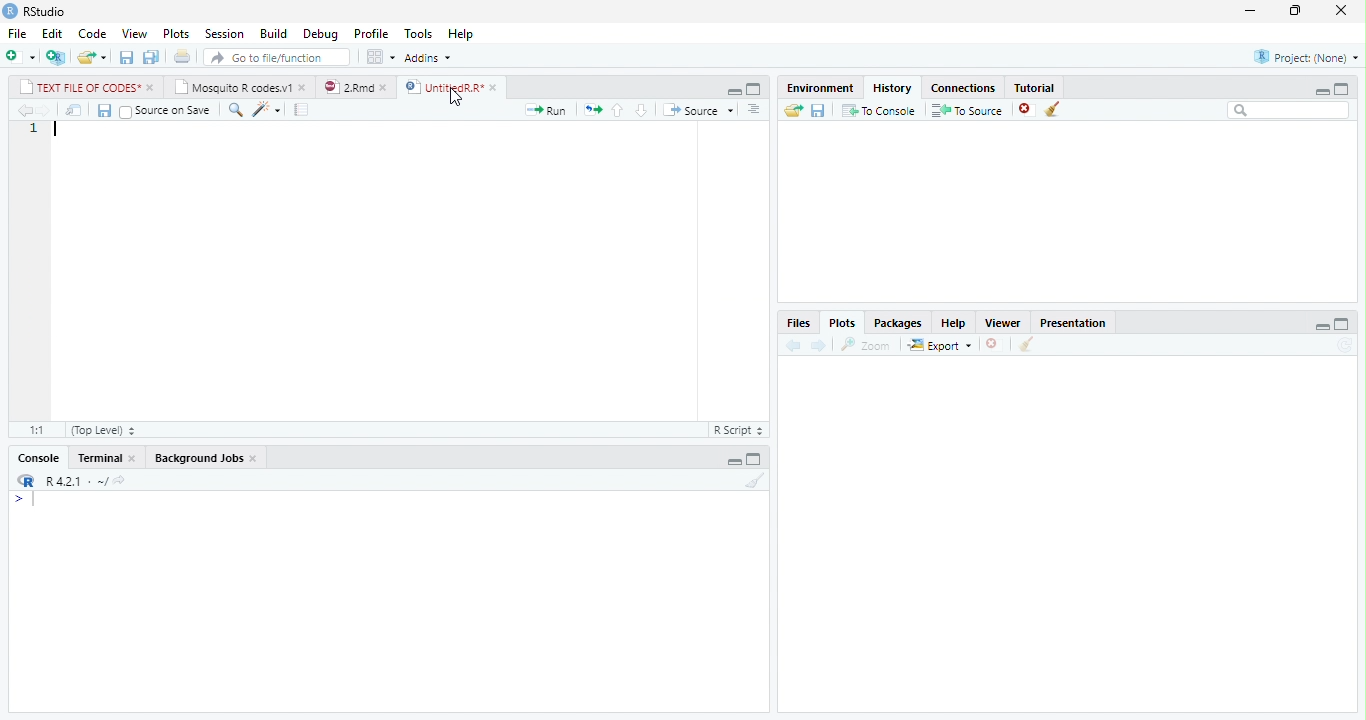  I want to click on cursor, so click(455, 98).